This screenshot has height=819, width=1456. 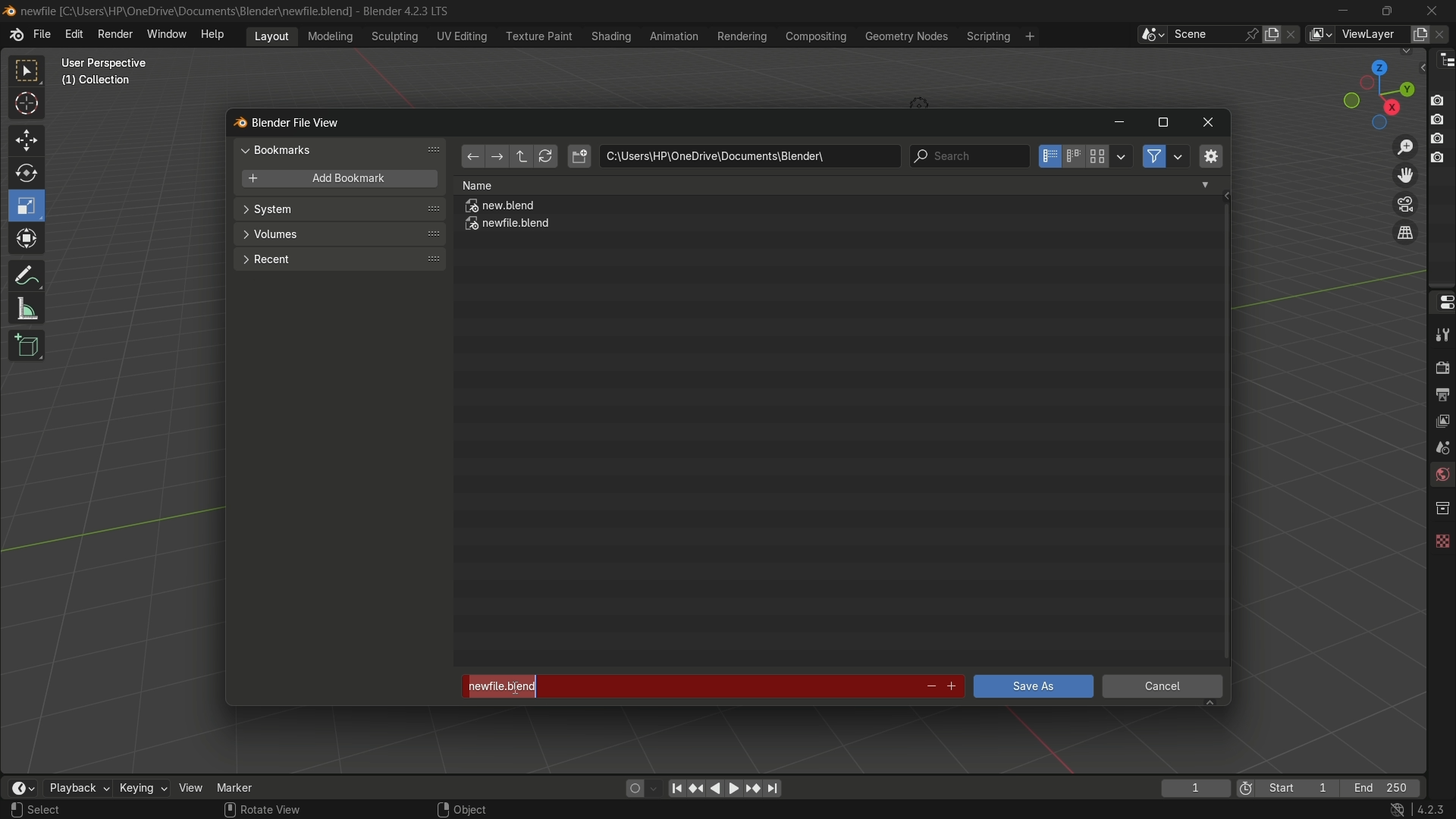 I want to click on back, so click(x=472, y=158).